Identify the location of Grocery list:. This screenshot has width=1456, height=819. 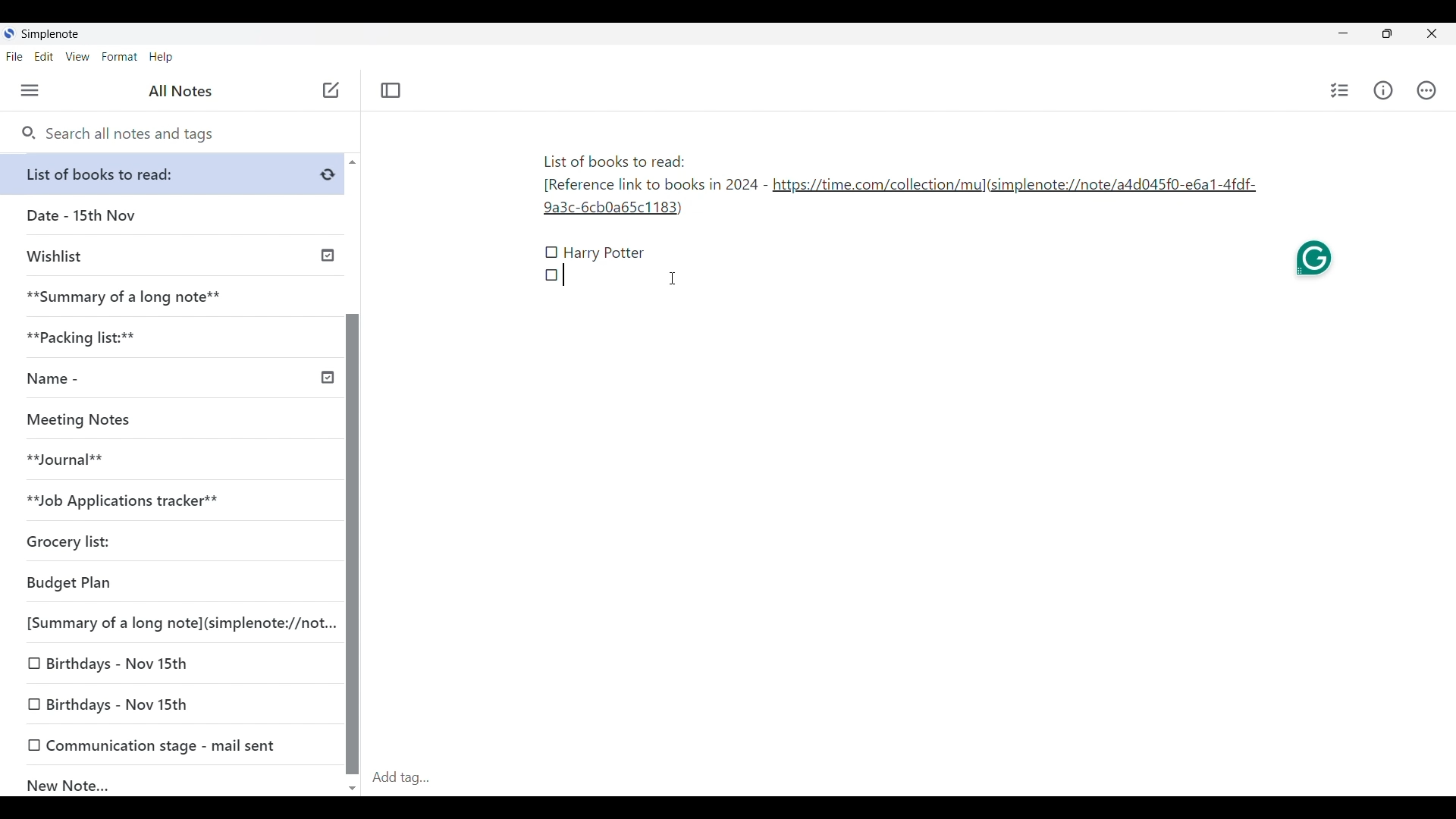
(167, 544).